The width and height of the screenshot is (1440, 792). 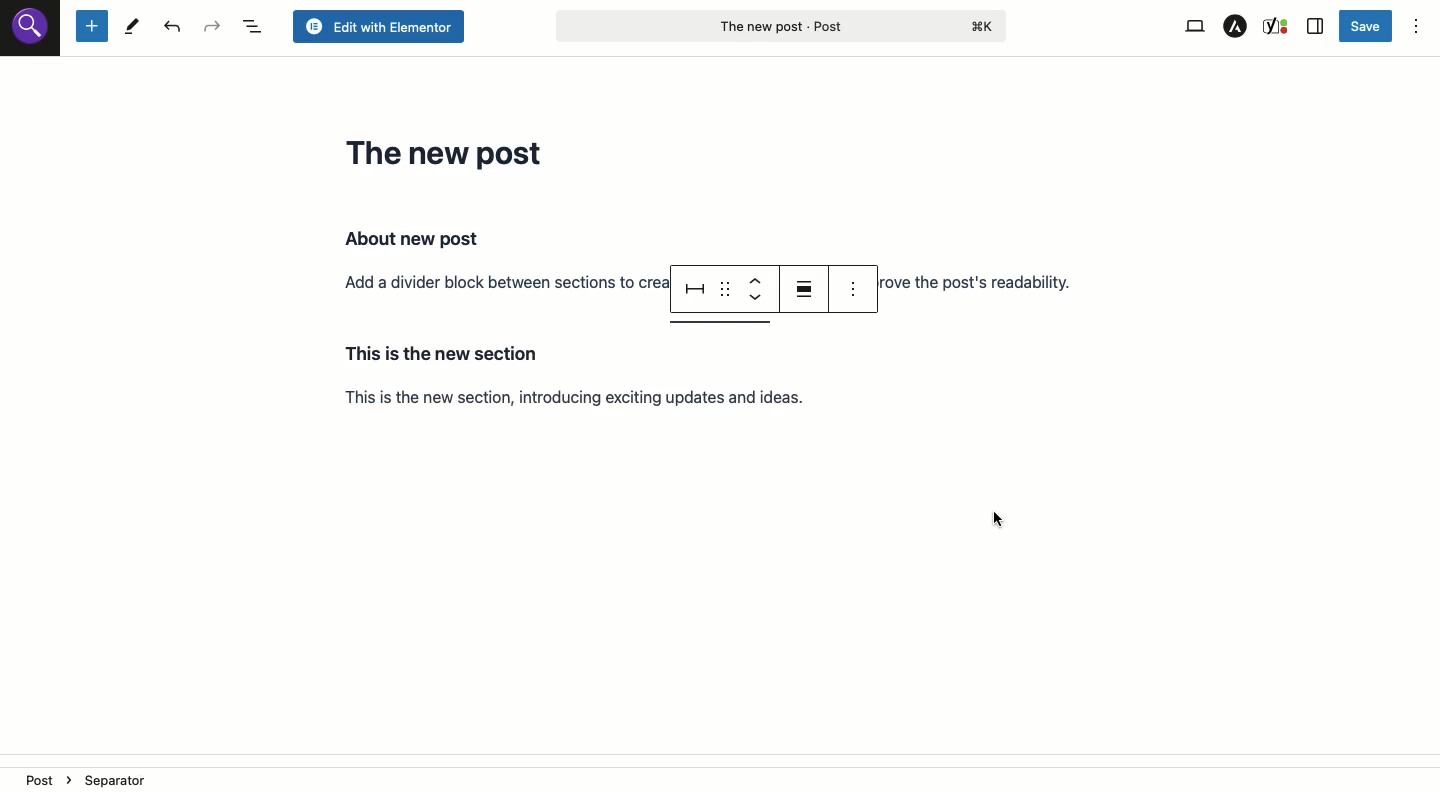 I want to click on Astar, so click(x=1236, y=27).